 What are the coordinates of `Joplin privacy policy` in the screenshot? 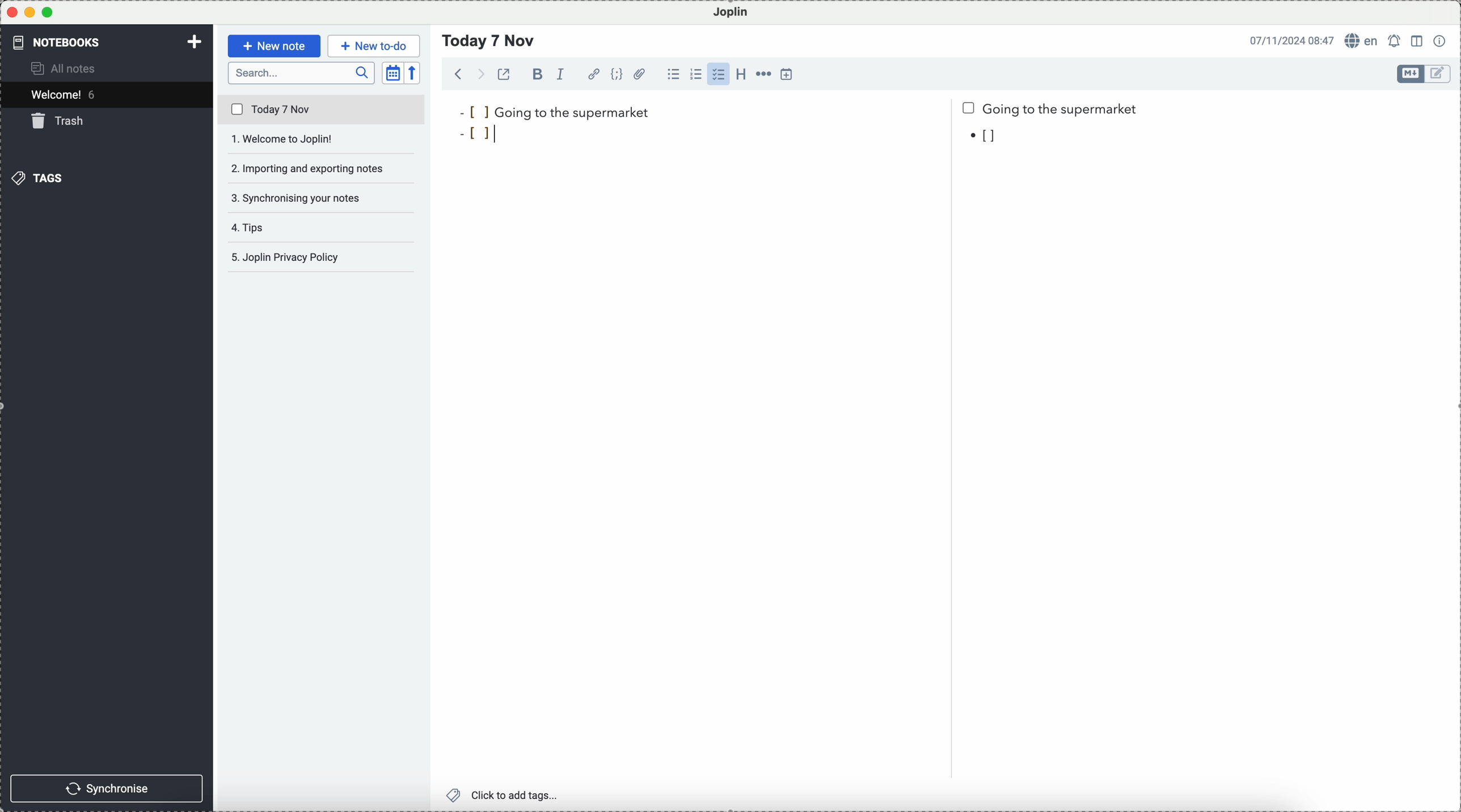 It's located at (316, 257).